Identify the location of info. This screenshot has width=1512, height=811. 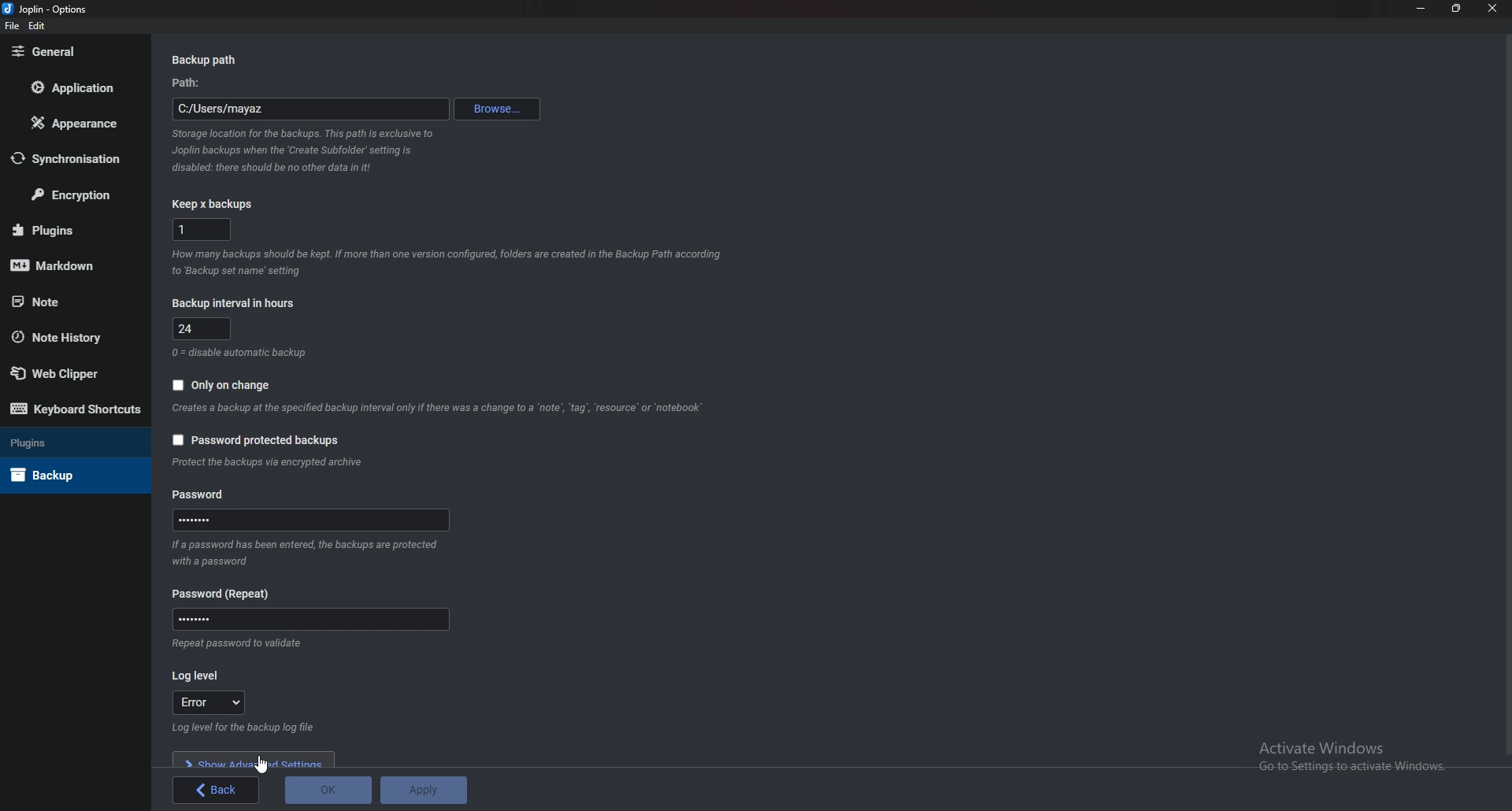
(244, 727).